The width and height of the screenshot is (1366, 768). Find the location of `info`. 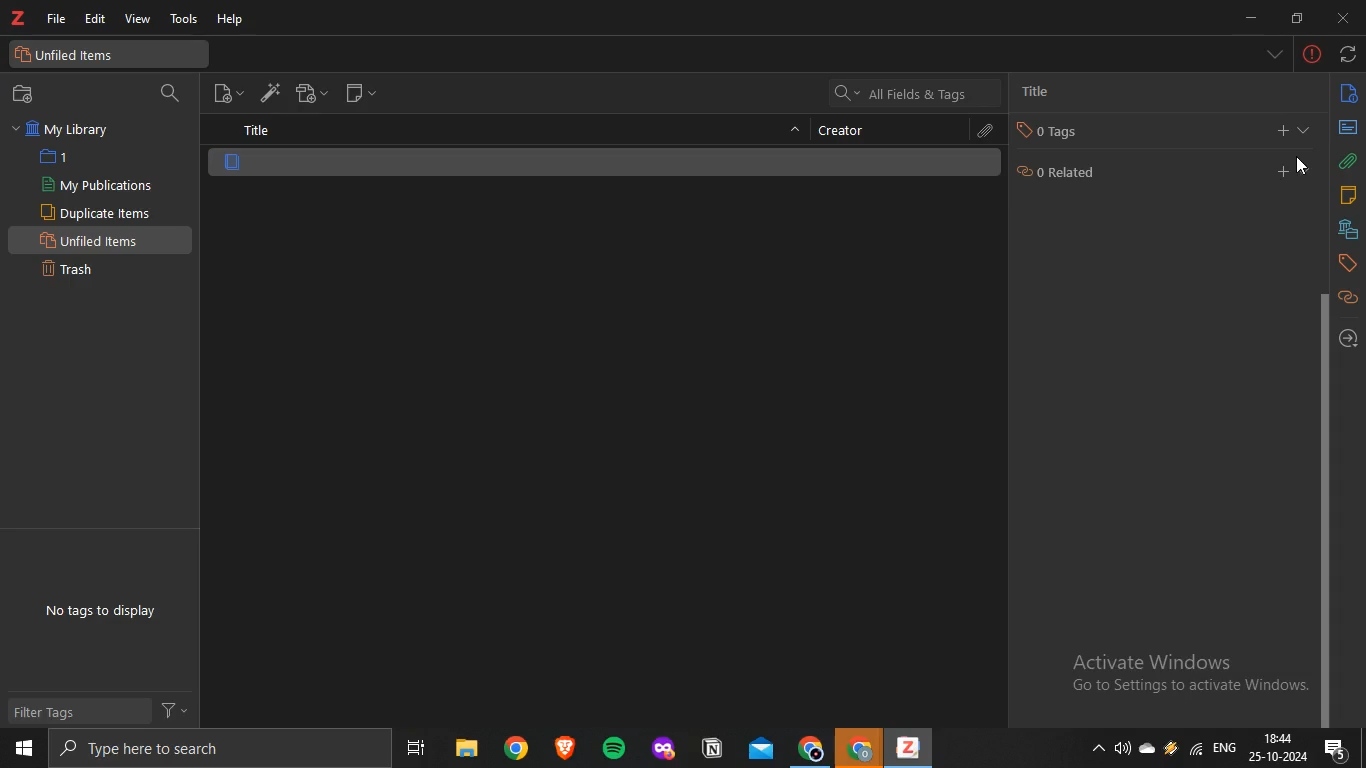

info is located at coordinates (1350, 94).